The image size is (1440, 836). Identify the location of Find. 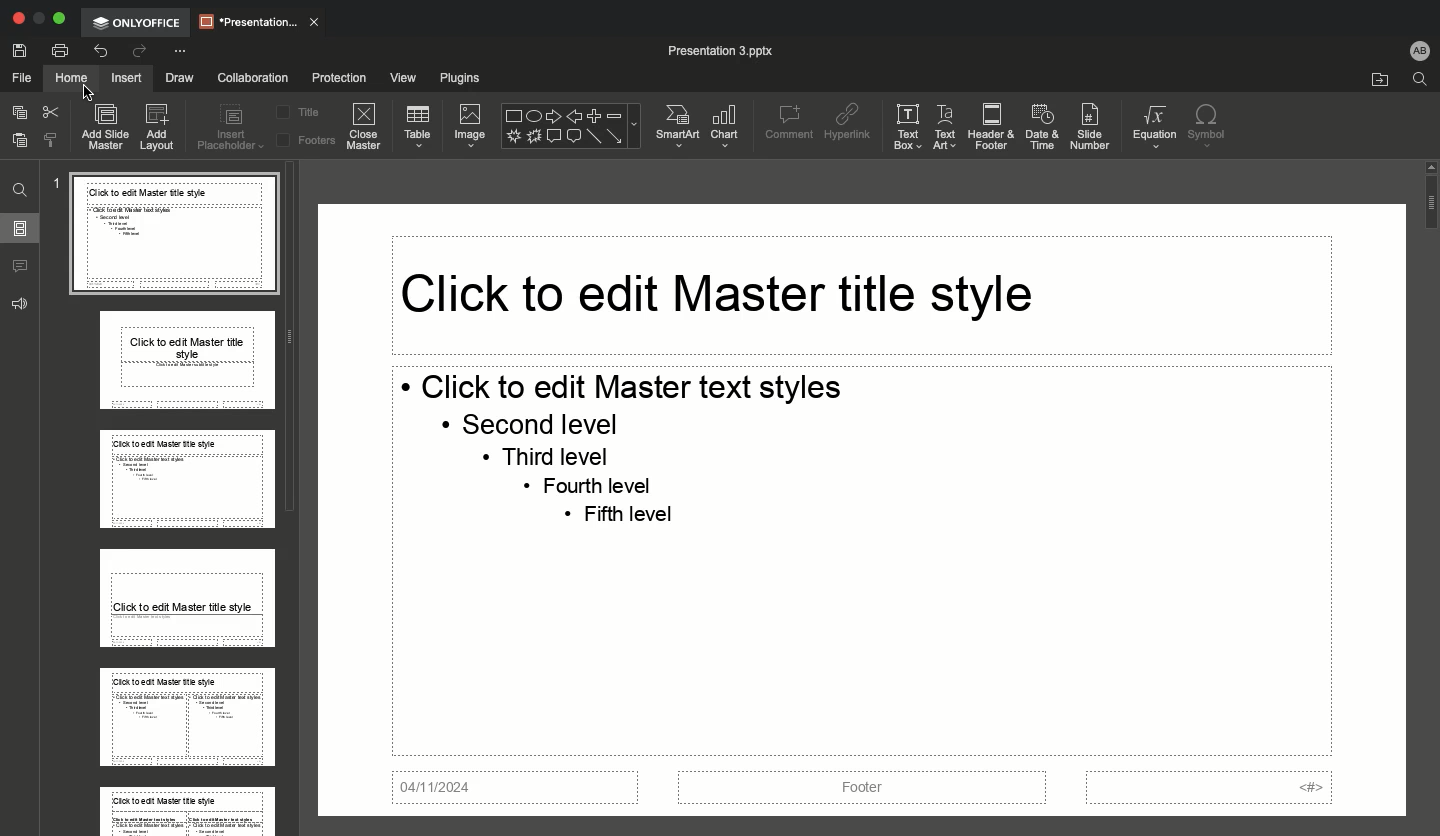
(1420, 79).